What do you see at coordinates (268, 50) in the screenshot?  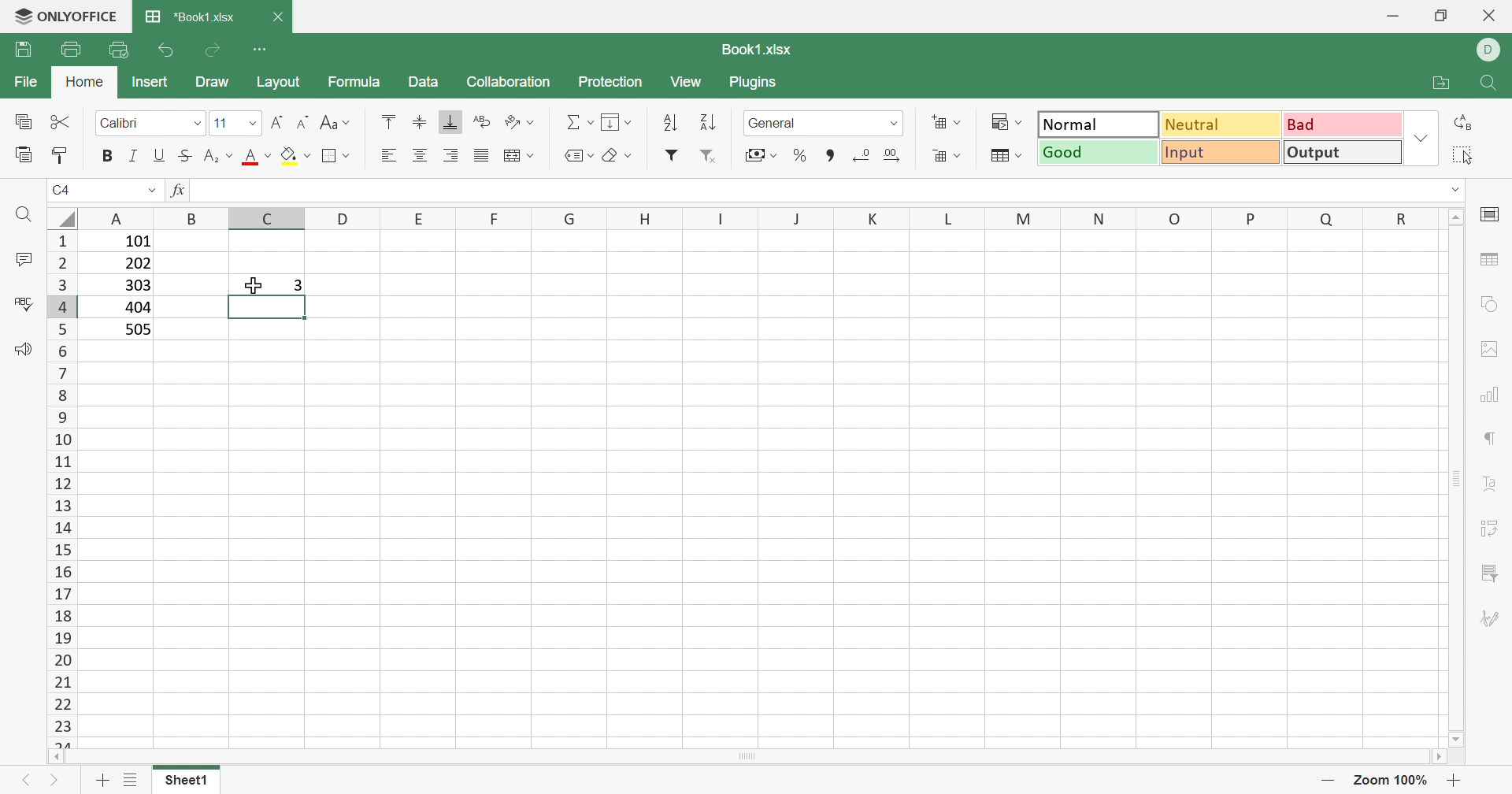 I see `Customize quick access toolbar` at bounding box center [268, 50].